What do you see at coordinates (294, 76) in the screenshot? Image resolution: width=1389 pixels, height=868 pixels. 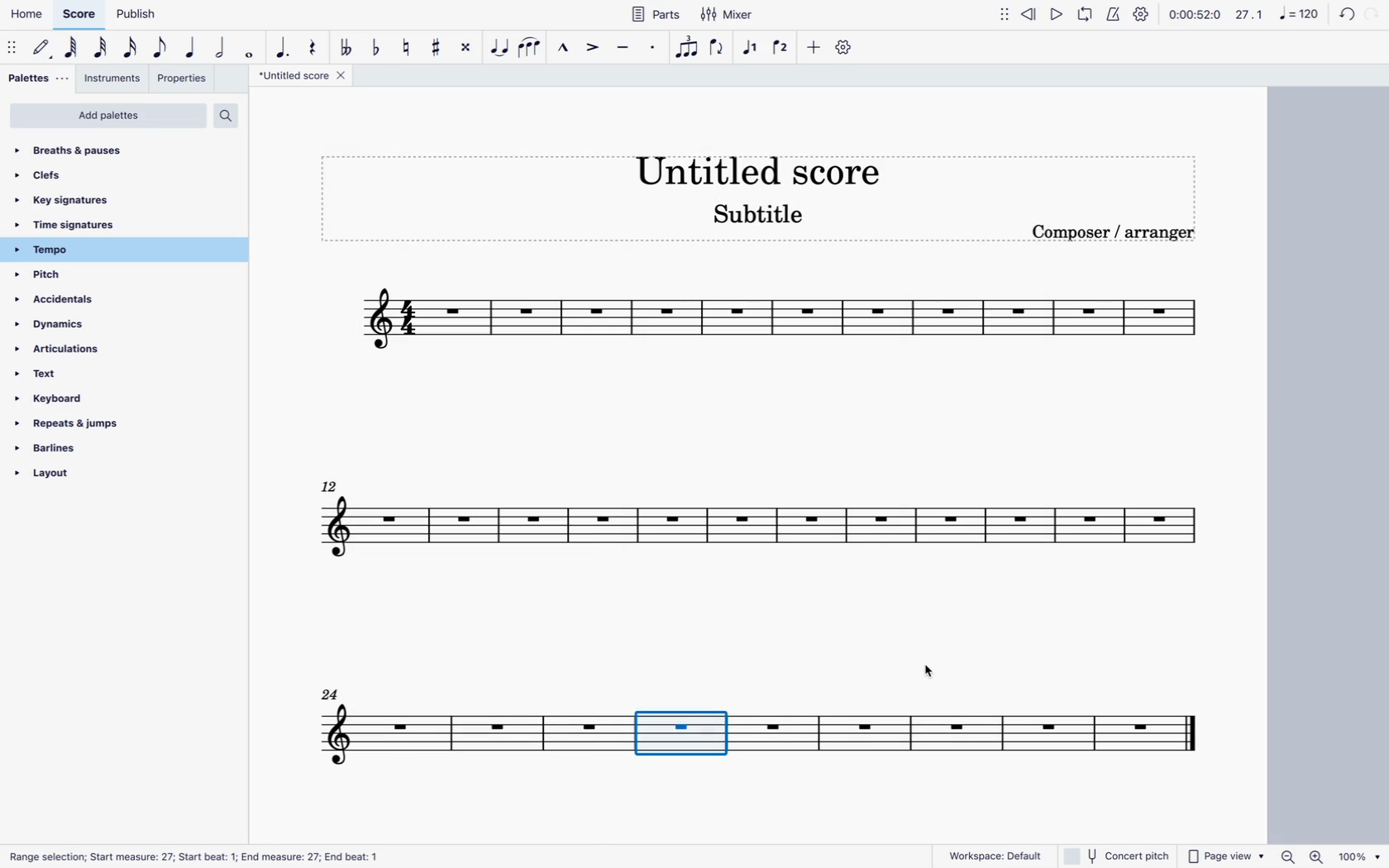 I see `score title` at bounding box center [294, 76].